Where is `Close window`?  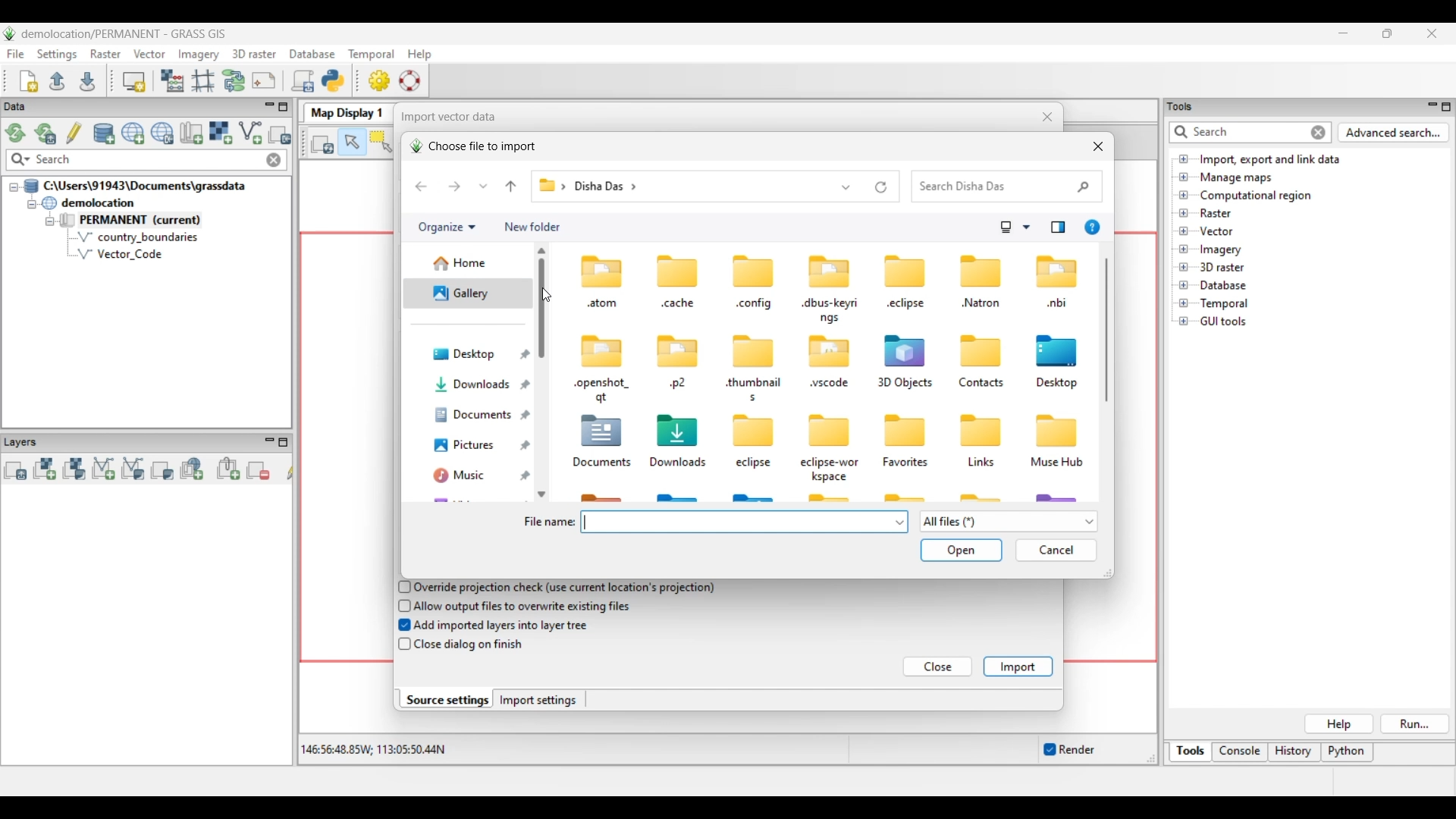 Close window is located at coordinates (1098, 146).